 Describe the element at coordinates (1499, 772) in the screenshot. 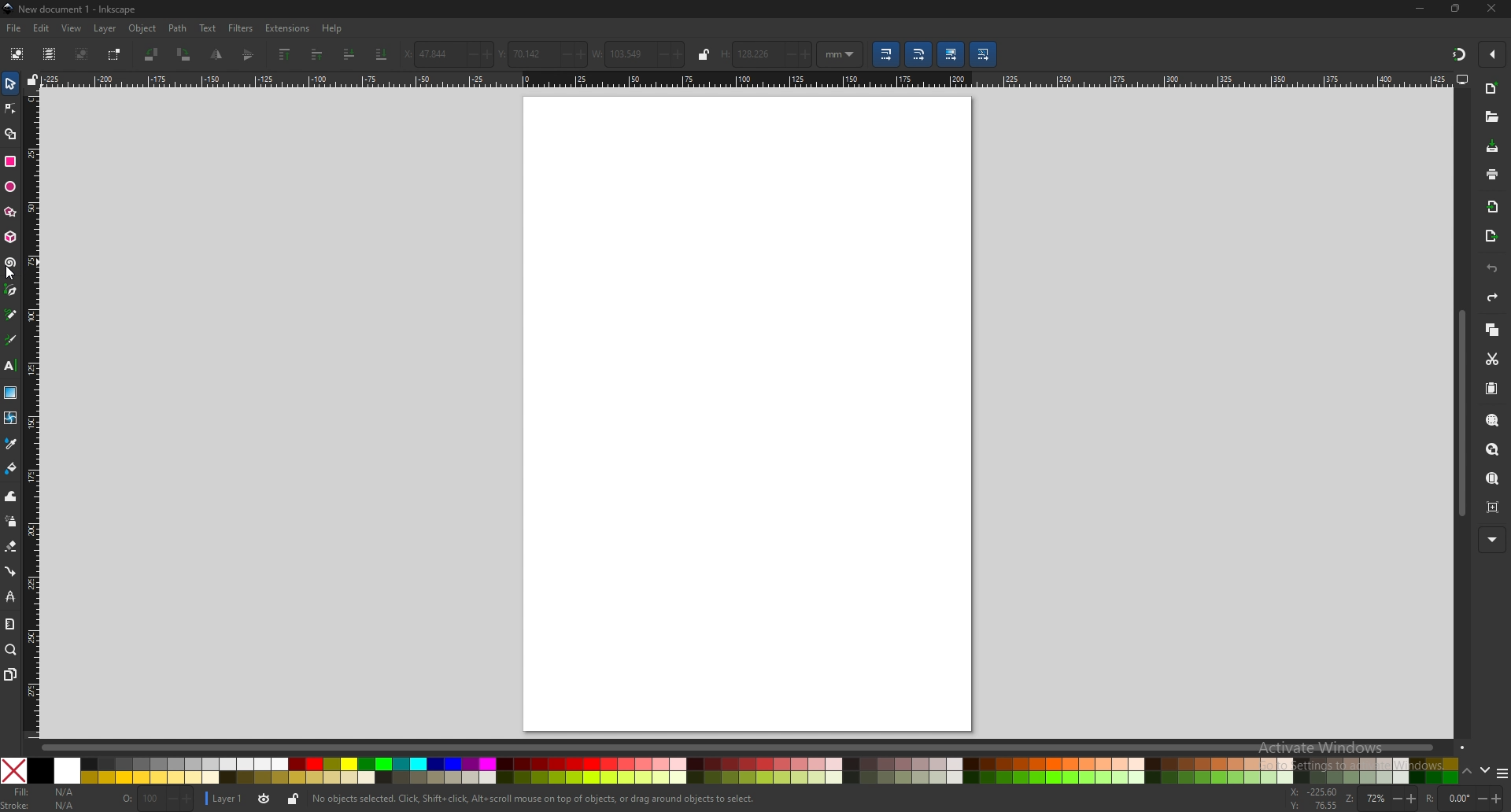

I see `more colors` at that location.